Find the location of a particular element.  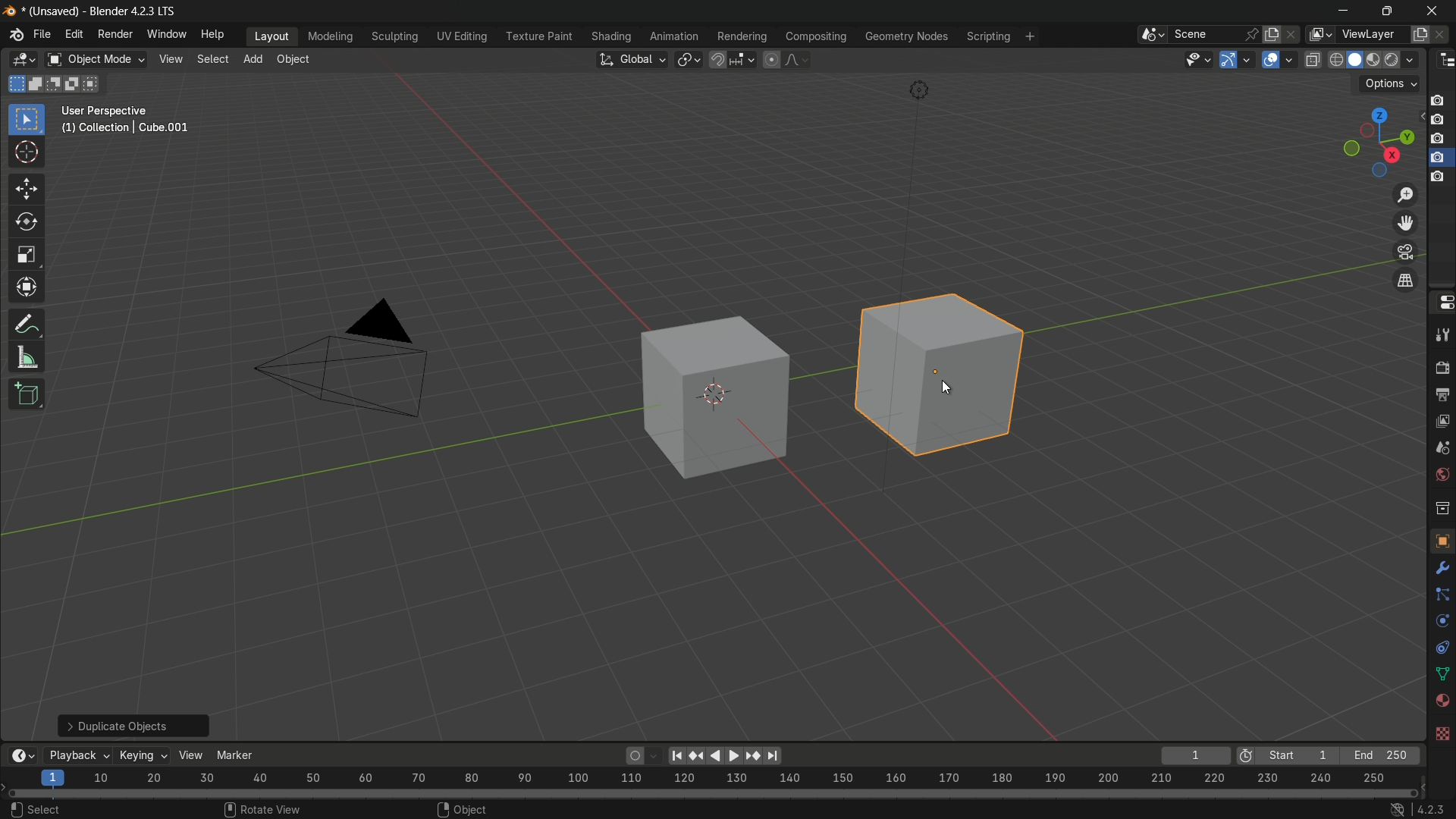

zoom in/out is located at coordinates (1407, 195).